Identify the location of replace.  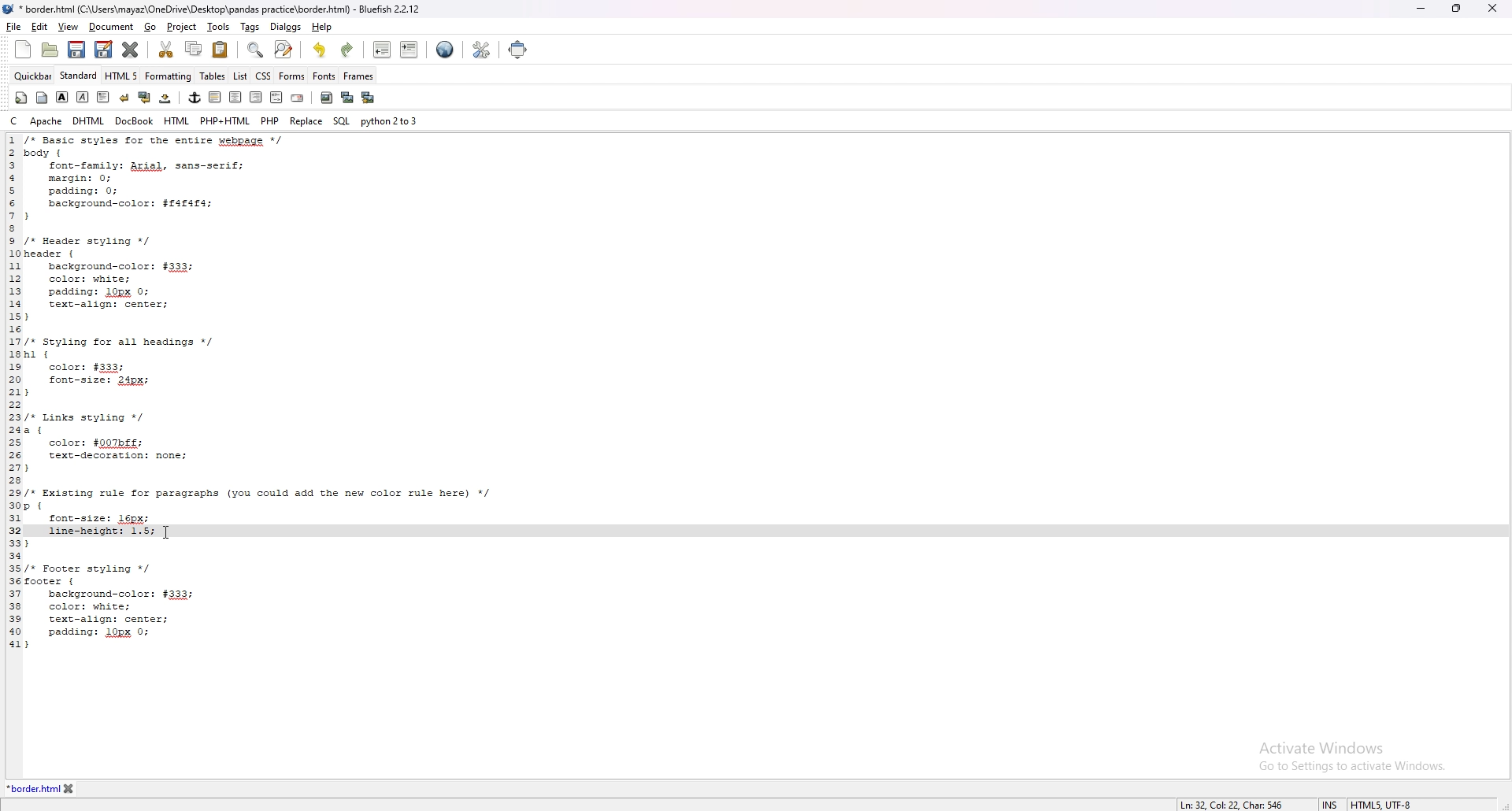
(306, 120).